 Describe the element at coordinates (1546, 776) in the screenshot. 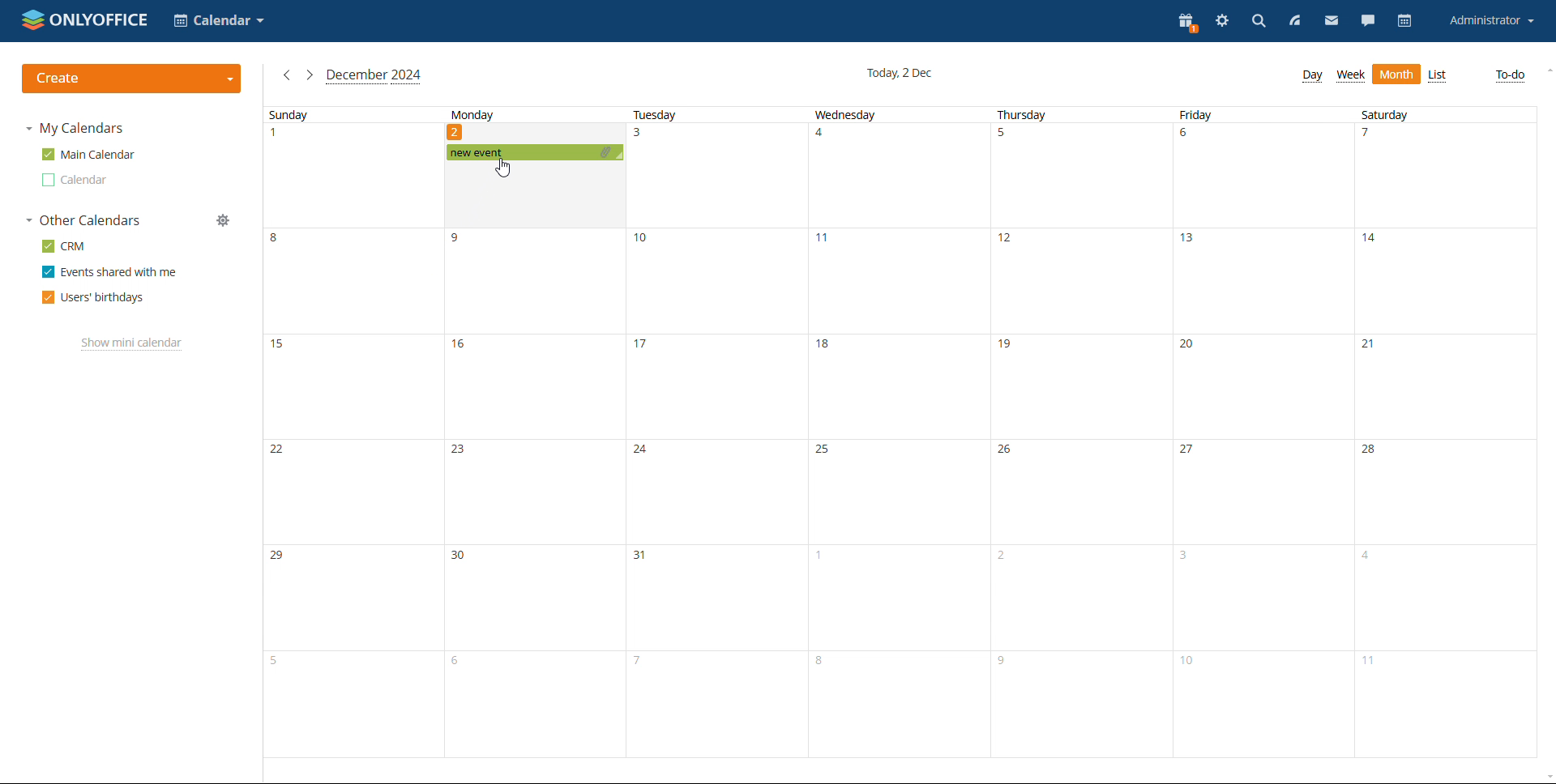

I see `scroll down` at that location.